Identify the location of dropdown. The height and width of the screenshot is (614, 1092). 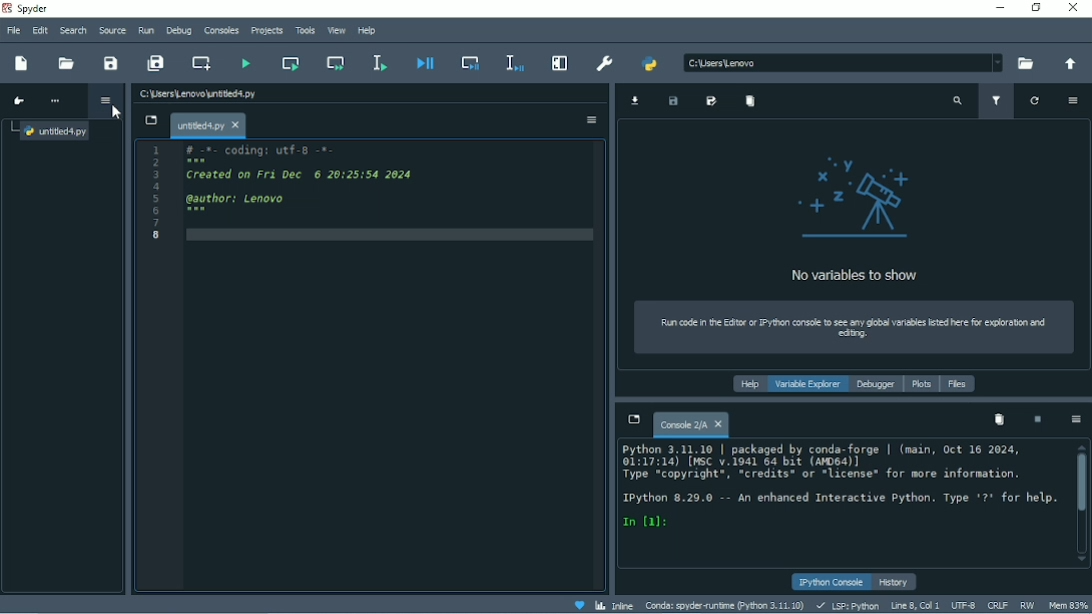
(997, 60).